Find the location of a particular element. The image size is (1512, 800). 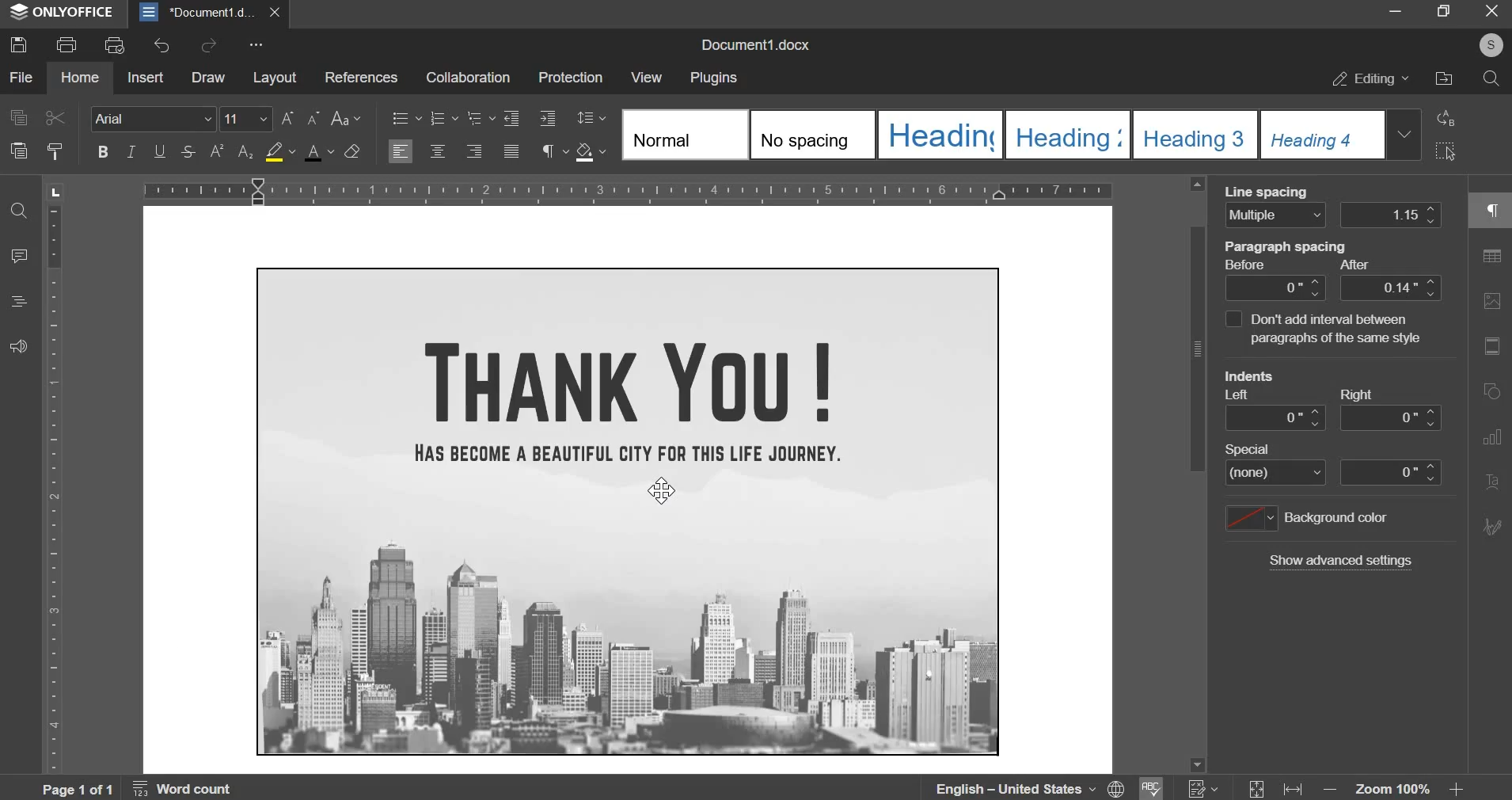

close is located at coordinates (1488, 12).